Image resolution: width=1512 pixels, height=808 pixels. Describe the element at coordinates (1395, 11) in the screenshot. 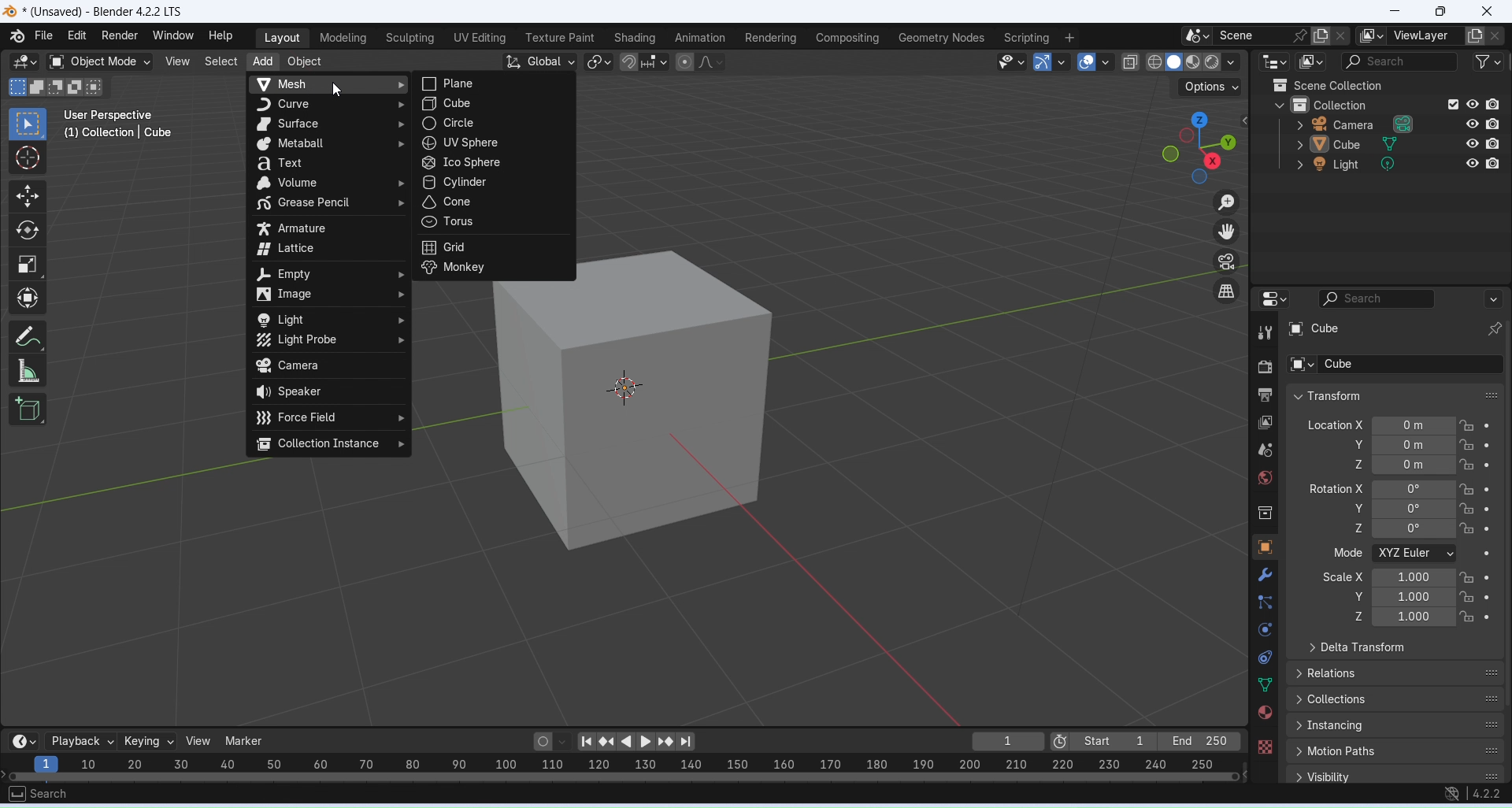

I see `Minimize` at that location.